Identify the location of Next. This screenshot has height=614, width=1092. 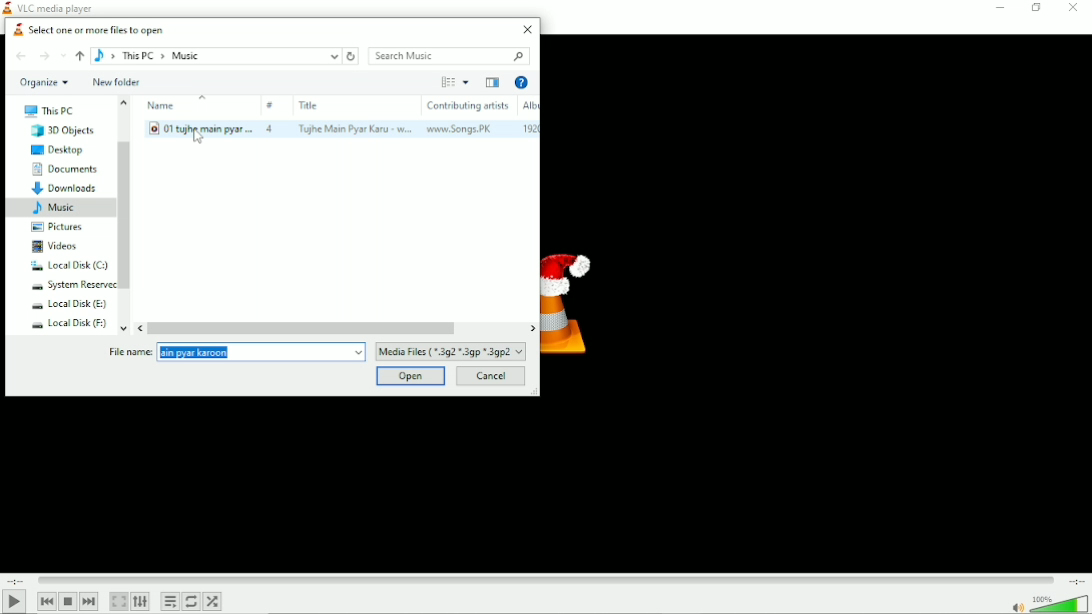
(90, 602).